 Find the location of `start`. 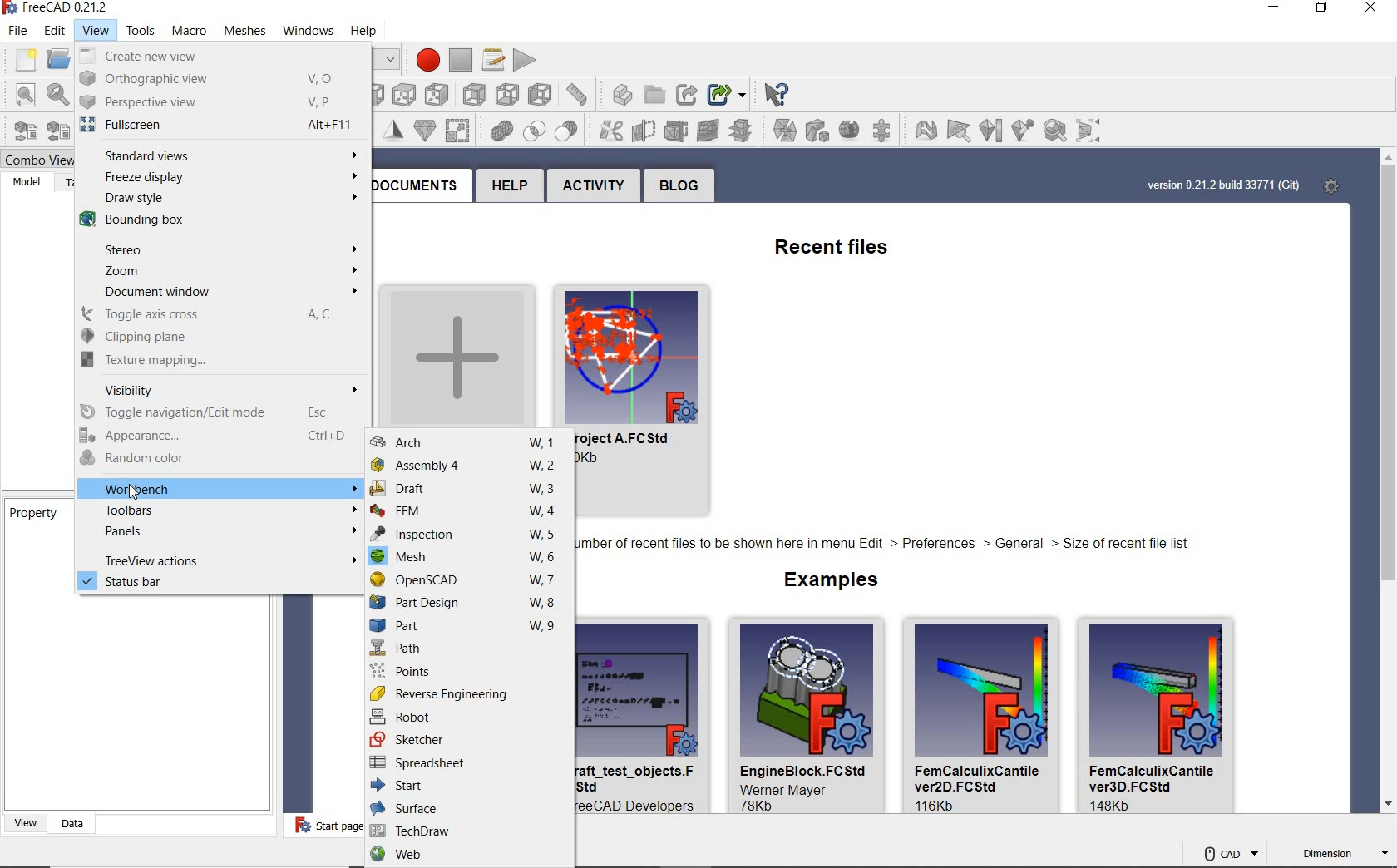

start is located at coordinates (469, 787).